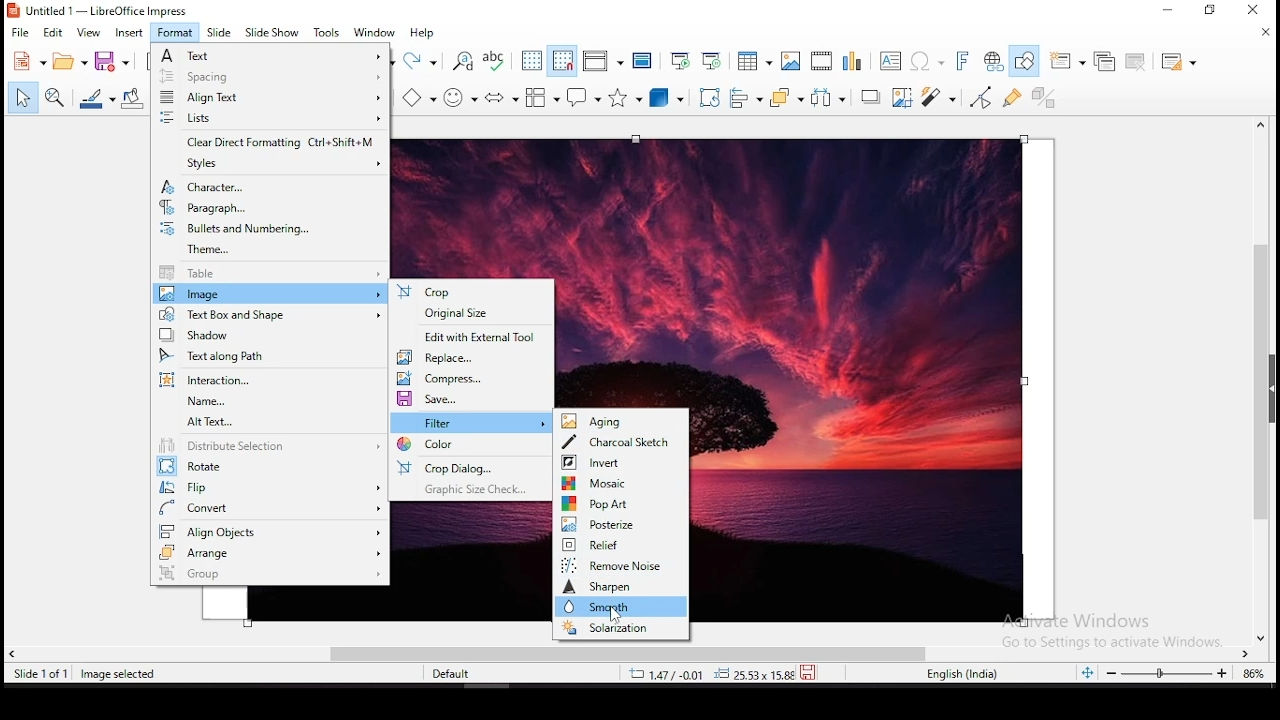 This screenshot has height=720, width=1280. What do you see at coordinates (53, 98) in the screenshot?
I see `zoom and pan` at bounding box center [53, 98].